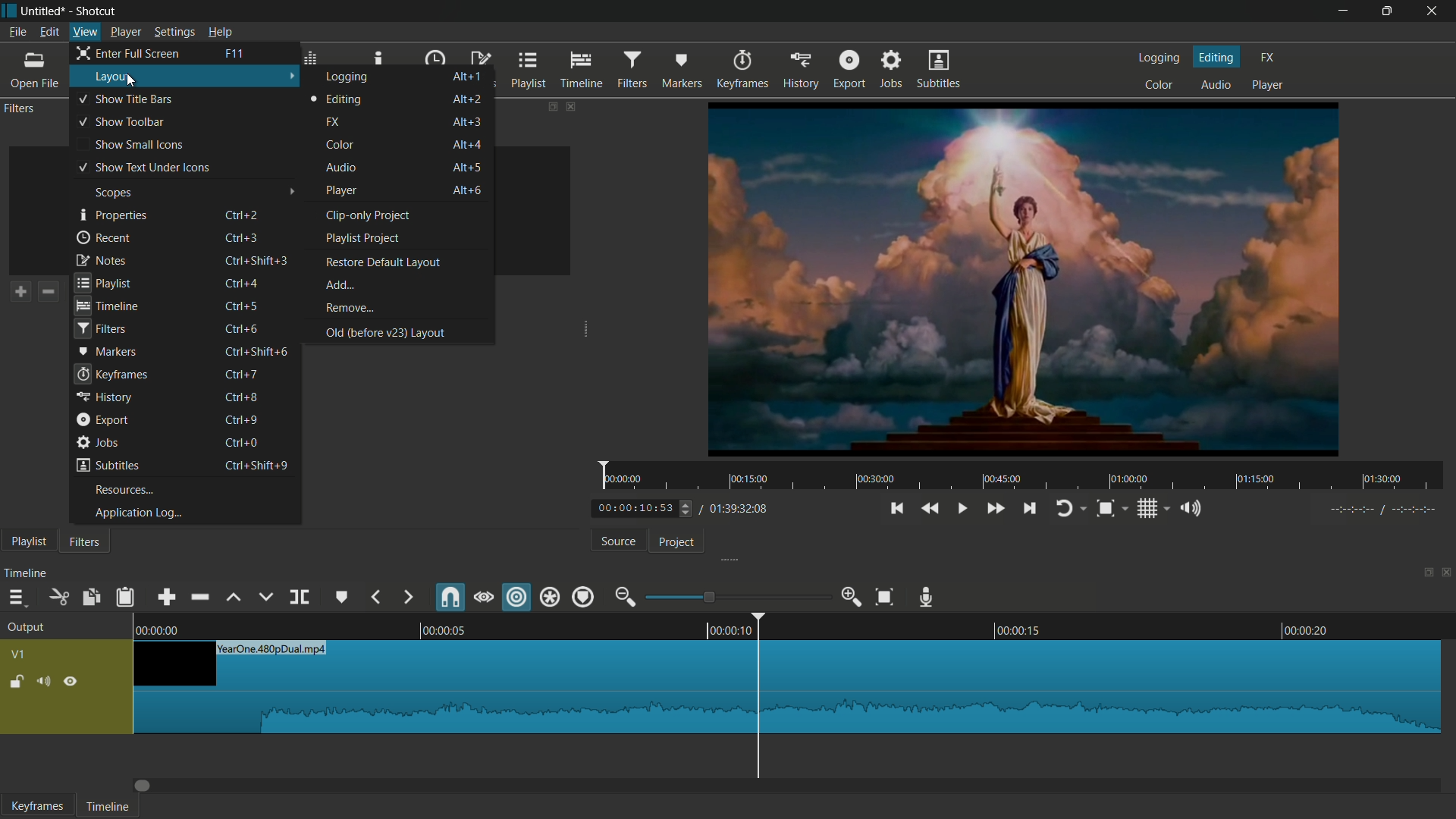 The width and height of the screenshot is (1456, 819). Describe the element at coordinates (1435, 11) in the screenshot. I see `close app` at that location.